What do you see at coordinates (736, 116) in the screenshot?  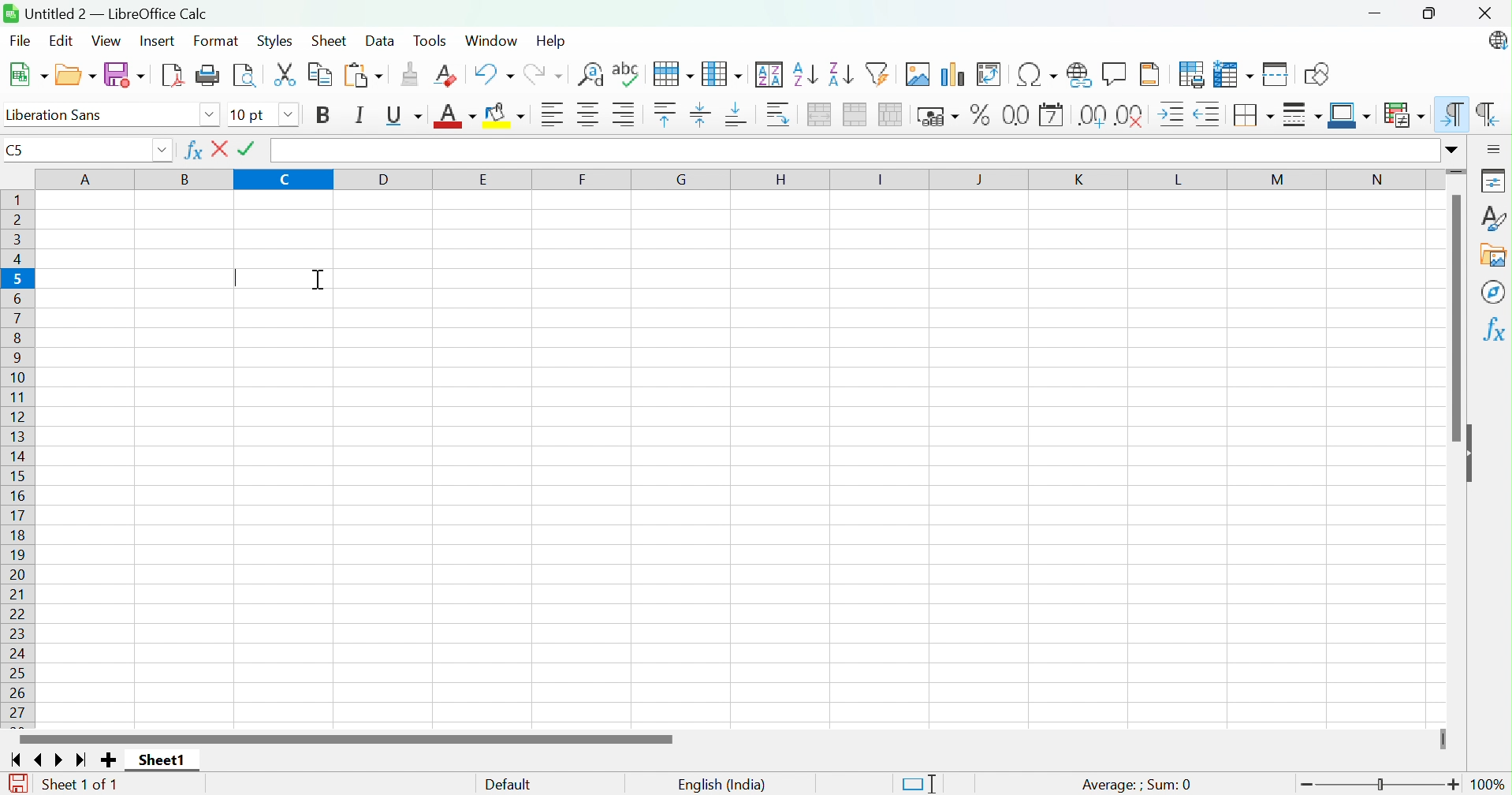 I see `Align bottom` at bounding box center [736, 116].